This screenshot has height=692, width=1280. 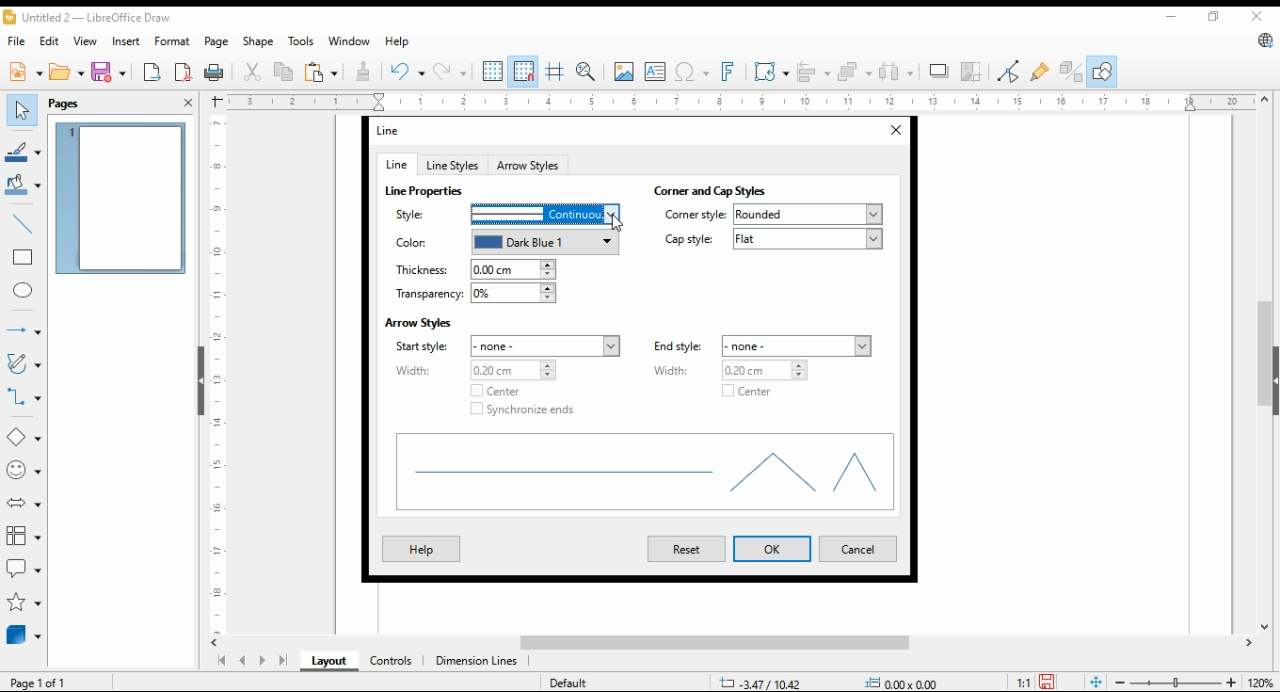 What do you see at coordinates (646, 475) in the screenshot?
I see `line style preview` at bounding box center [646, 475].